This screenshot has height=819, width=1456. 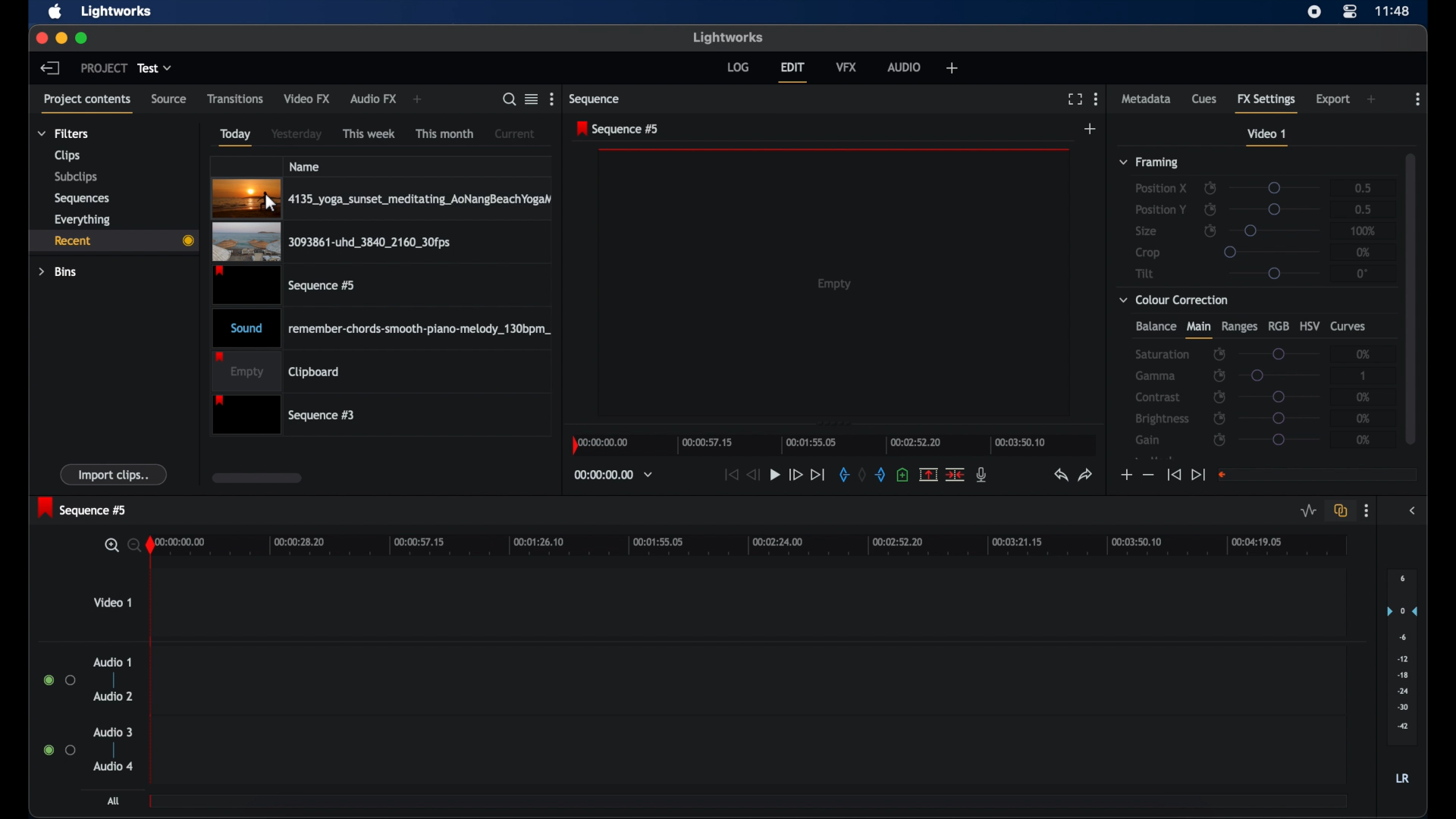 I want to click on enable/disbale keyframes, so click(x=1220, y=353).